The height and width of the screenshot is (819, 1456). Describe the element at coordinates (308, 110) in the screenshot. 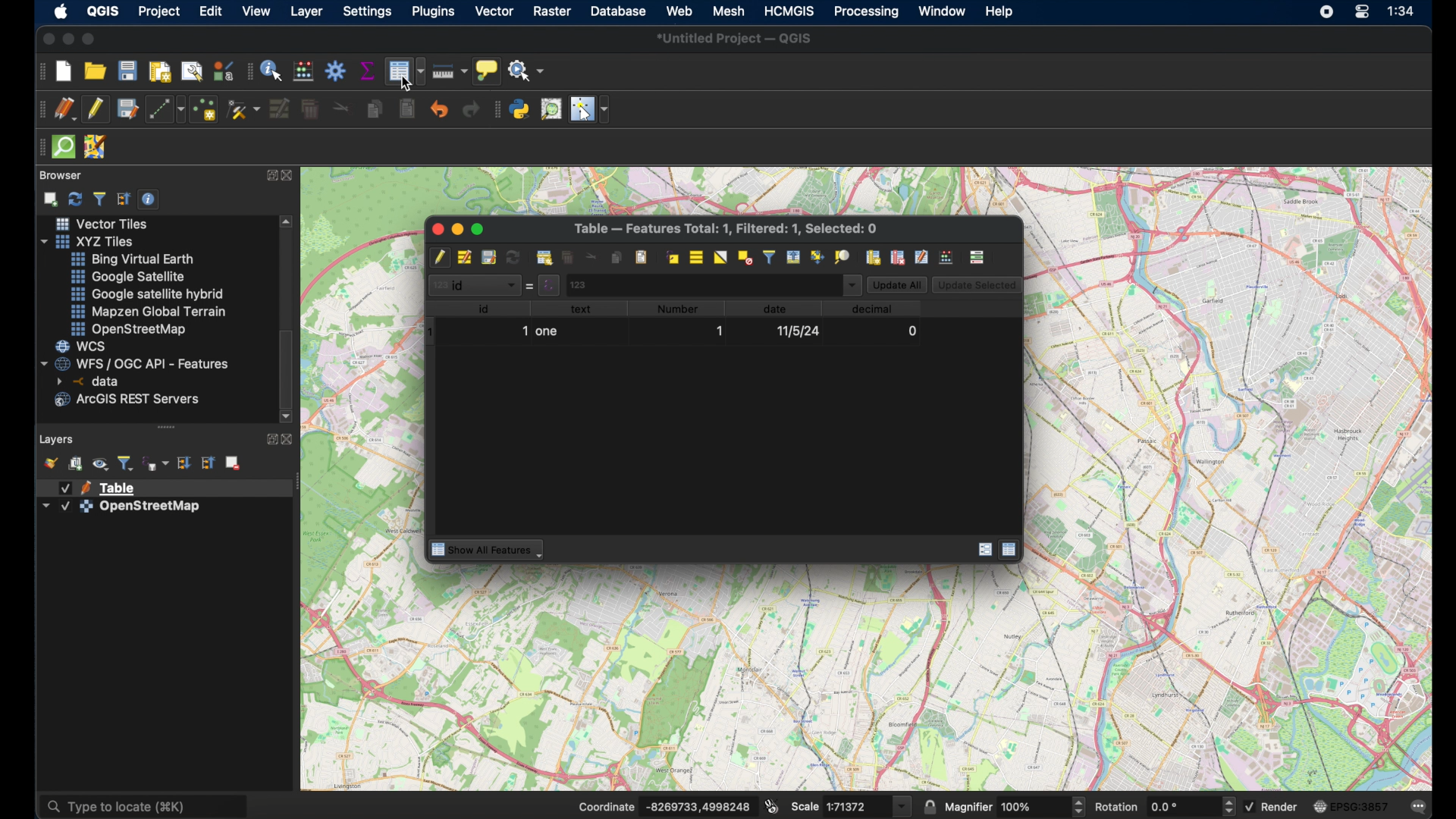

I see `delete selected` at that location.